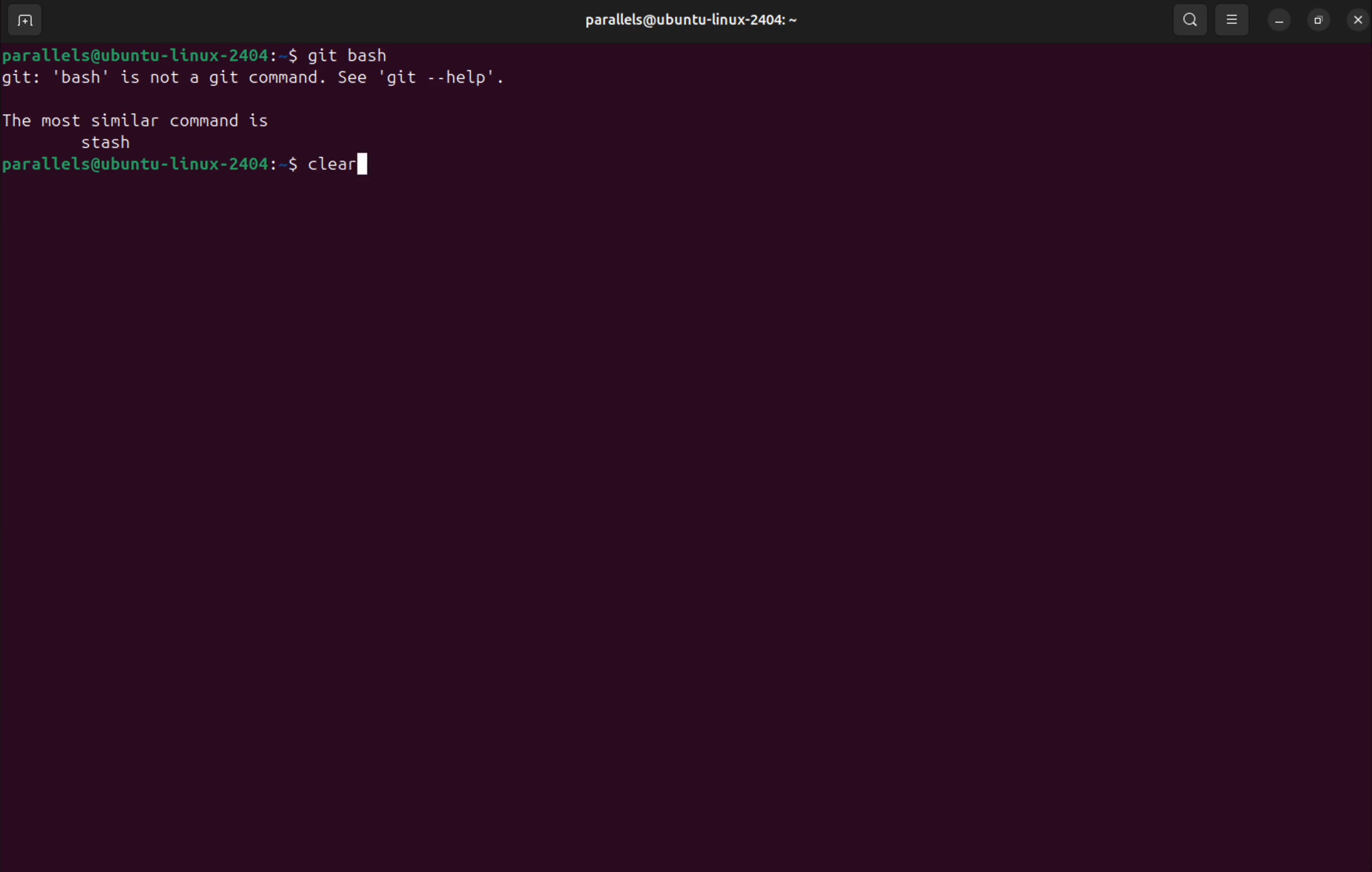 The height and width of the screenshot is (872, 1372). What do you see at coordinates (1358, 20) in the screenshot?
I see `close` at bounding box center [1358, 20].